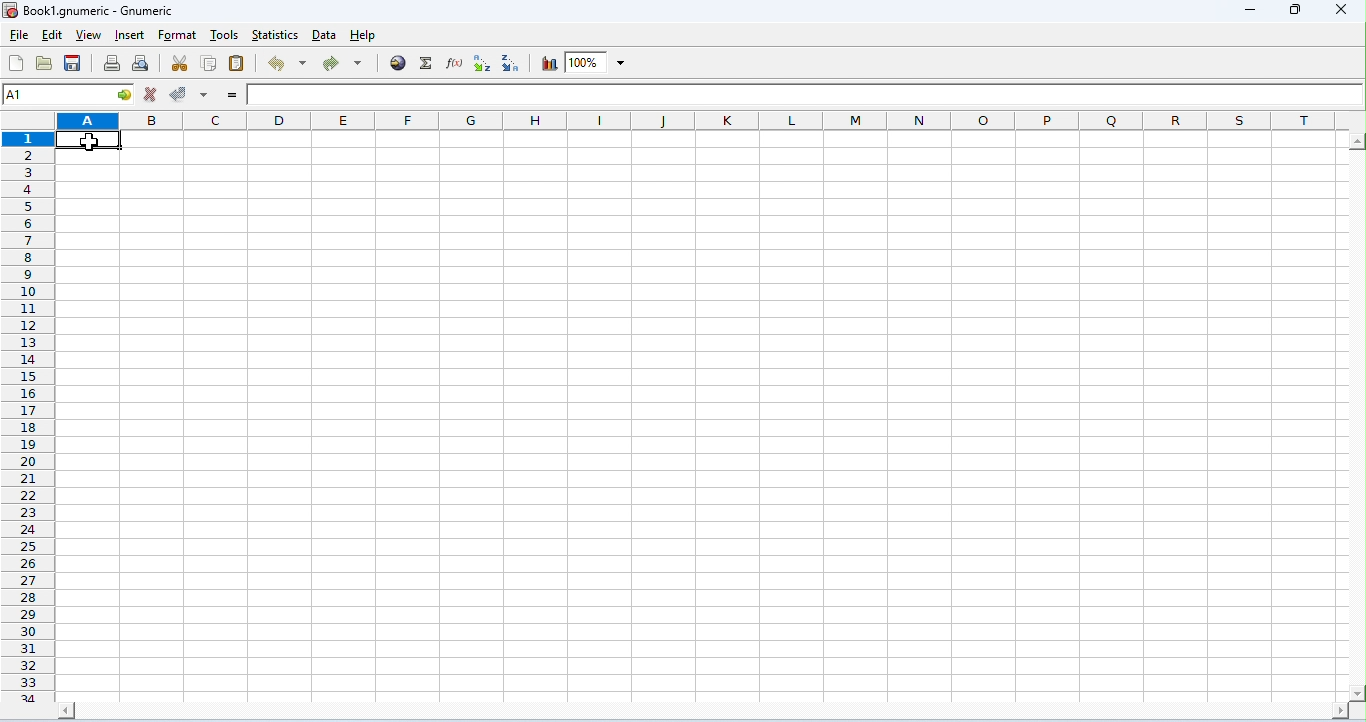 Image resolution: width=1366 pixels, height=722 pixels. Describe the element at coordinates (179, 93) in the screenshot. I see `accept` at that location.